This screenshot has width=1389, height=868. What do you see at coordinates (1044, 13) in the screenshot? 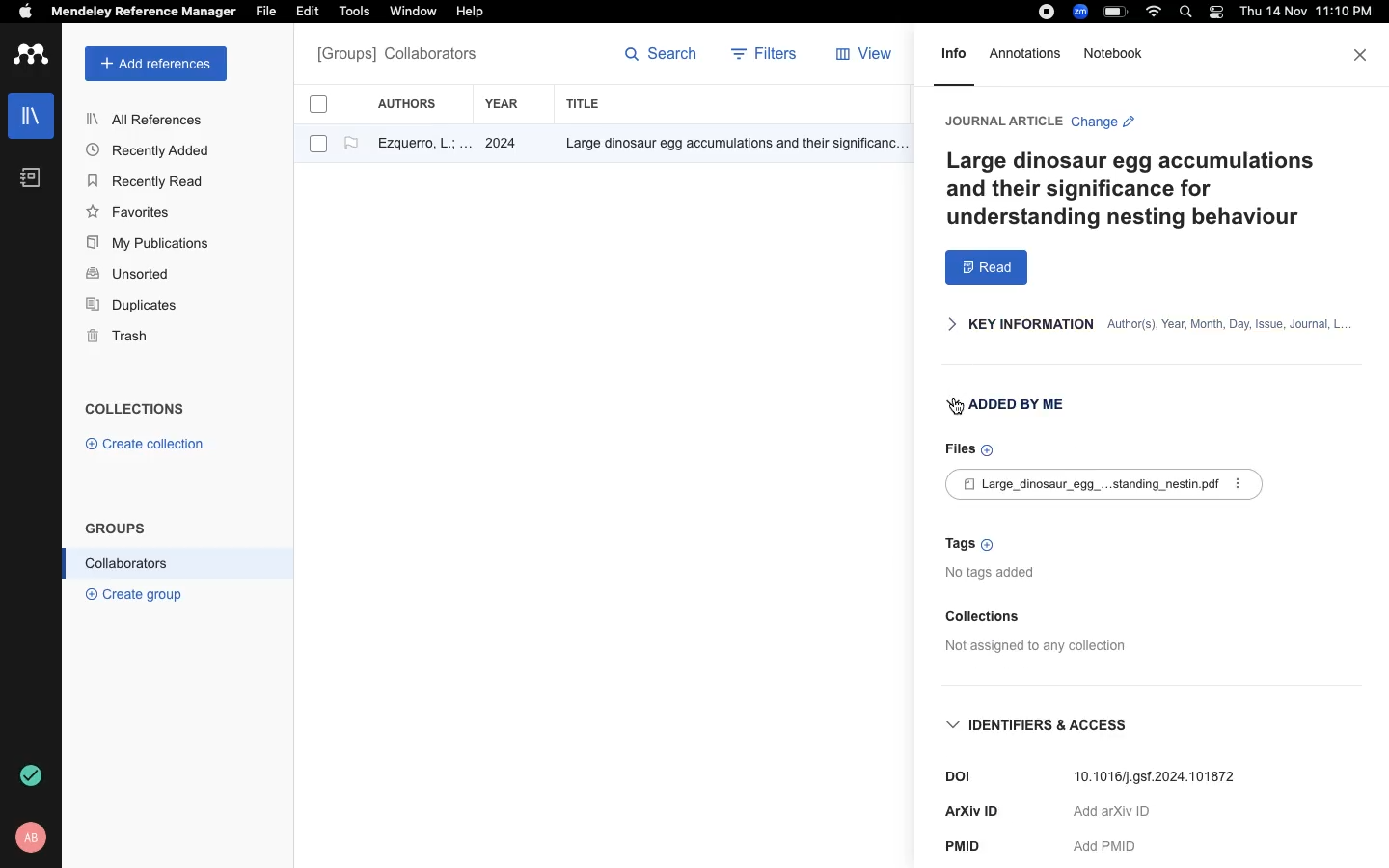
I see `recording` at bounding box center [1044, 13].